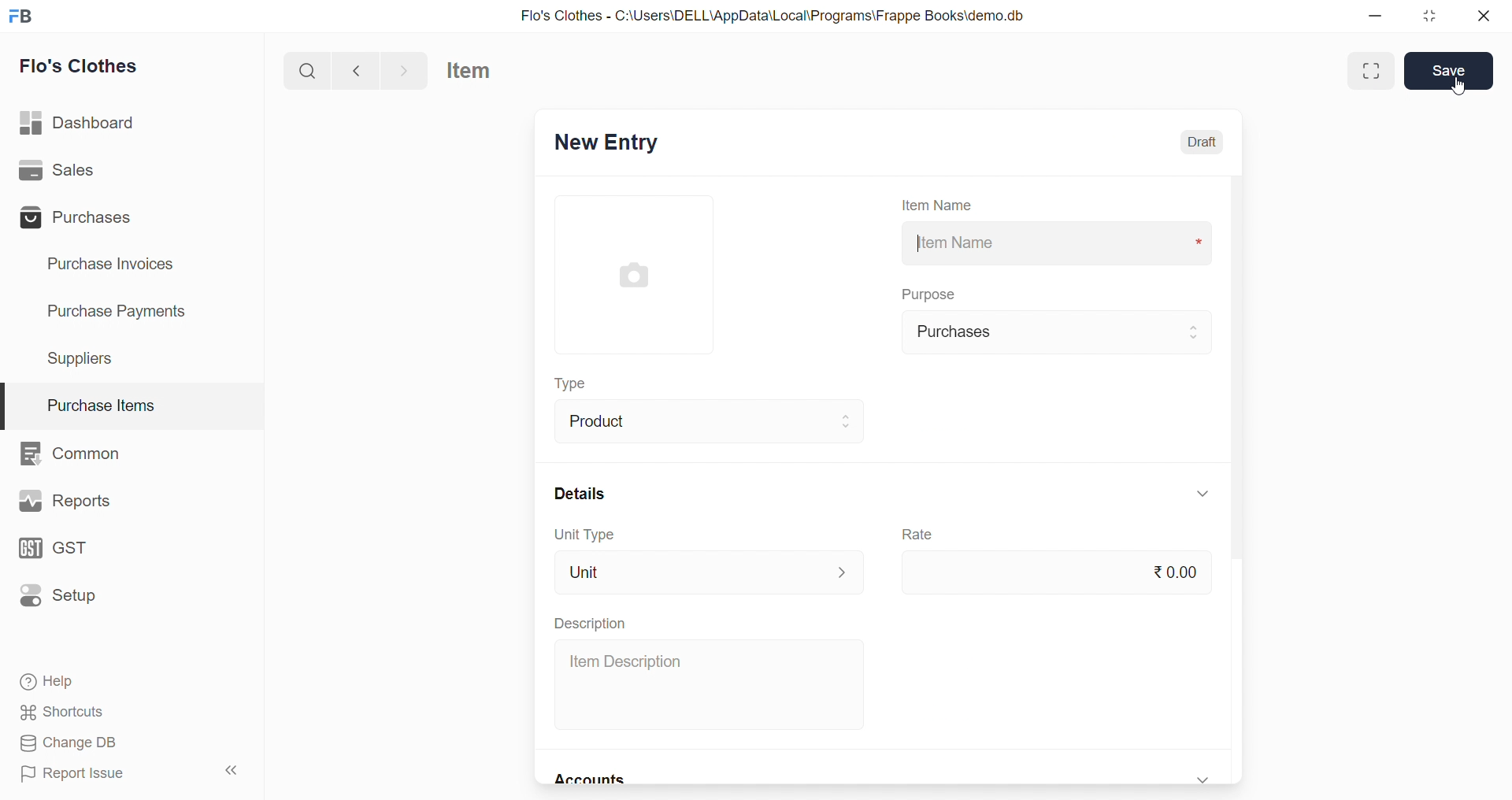 The height and width of the screenshot is (800, 1512). Describe the element at coordinates (1430, 16) in the screenshot. I see `resize` at that location.